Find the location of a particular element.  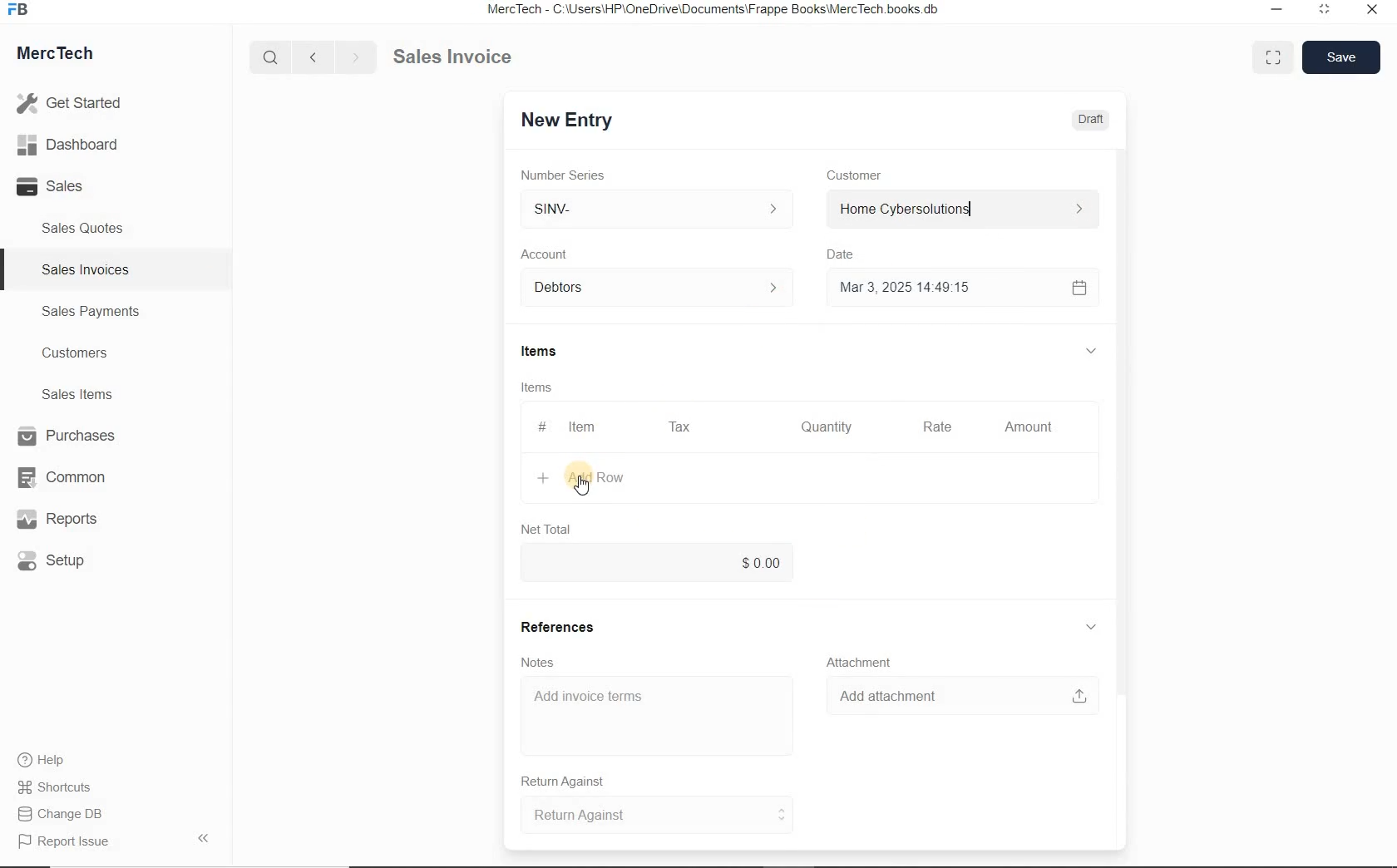

Quantity is located at coordinates (822, 430).